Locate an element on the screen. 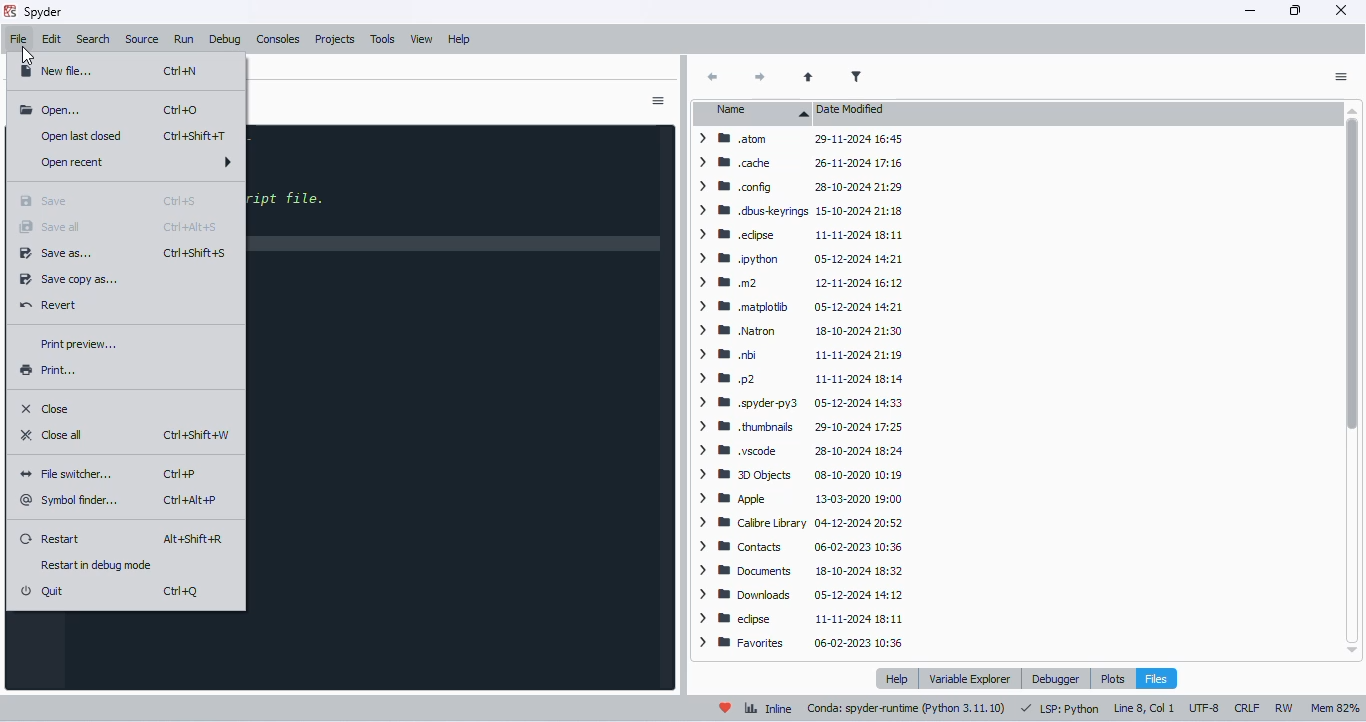 This screenshot has height=722, width=1366. Mem is located at coordinates (1333, 706).